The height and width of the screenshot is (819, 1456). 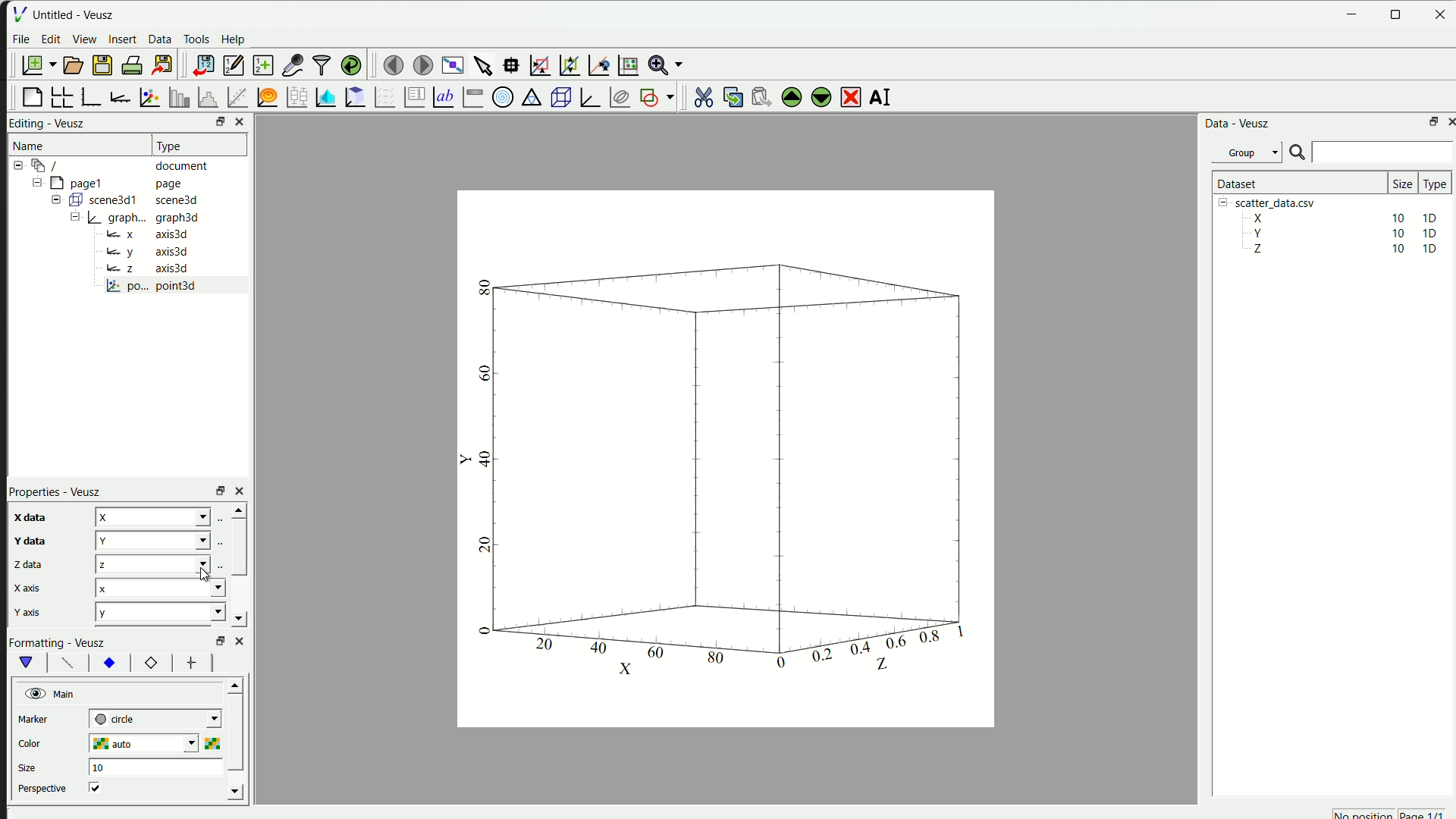 What do you see at coordinates (730, 97) in the screenshot?
I see `copy the widget` at bounding box center [730, 97].